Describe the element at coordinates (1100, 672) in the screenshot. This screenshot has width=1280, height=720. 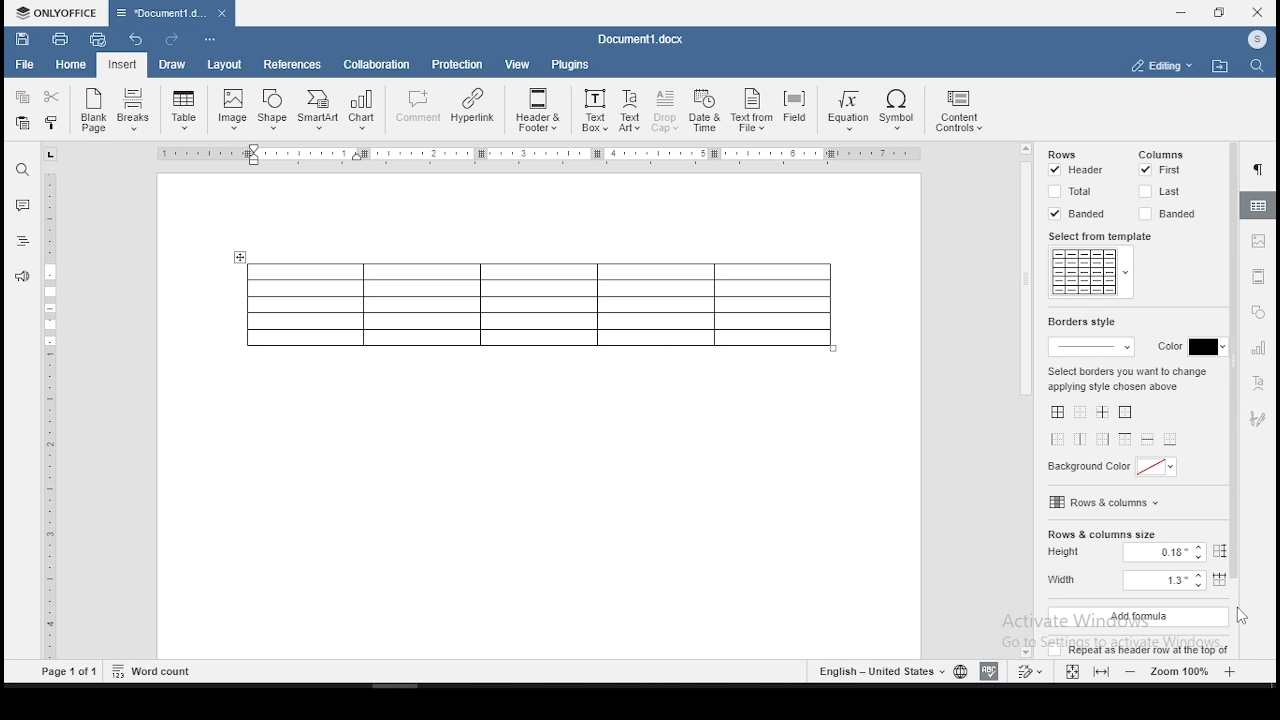
I see `fit to screen` at that location.